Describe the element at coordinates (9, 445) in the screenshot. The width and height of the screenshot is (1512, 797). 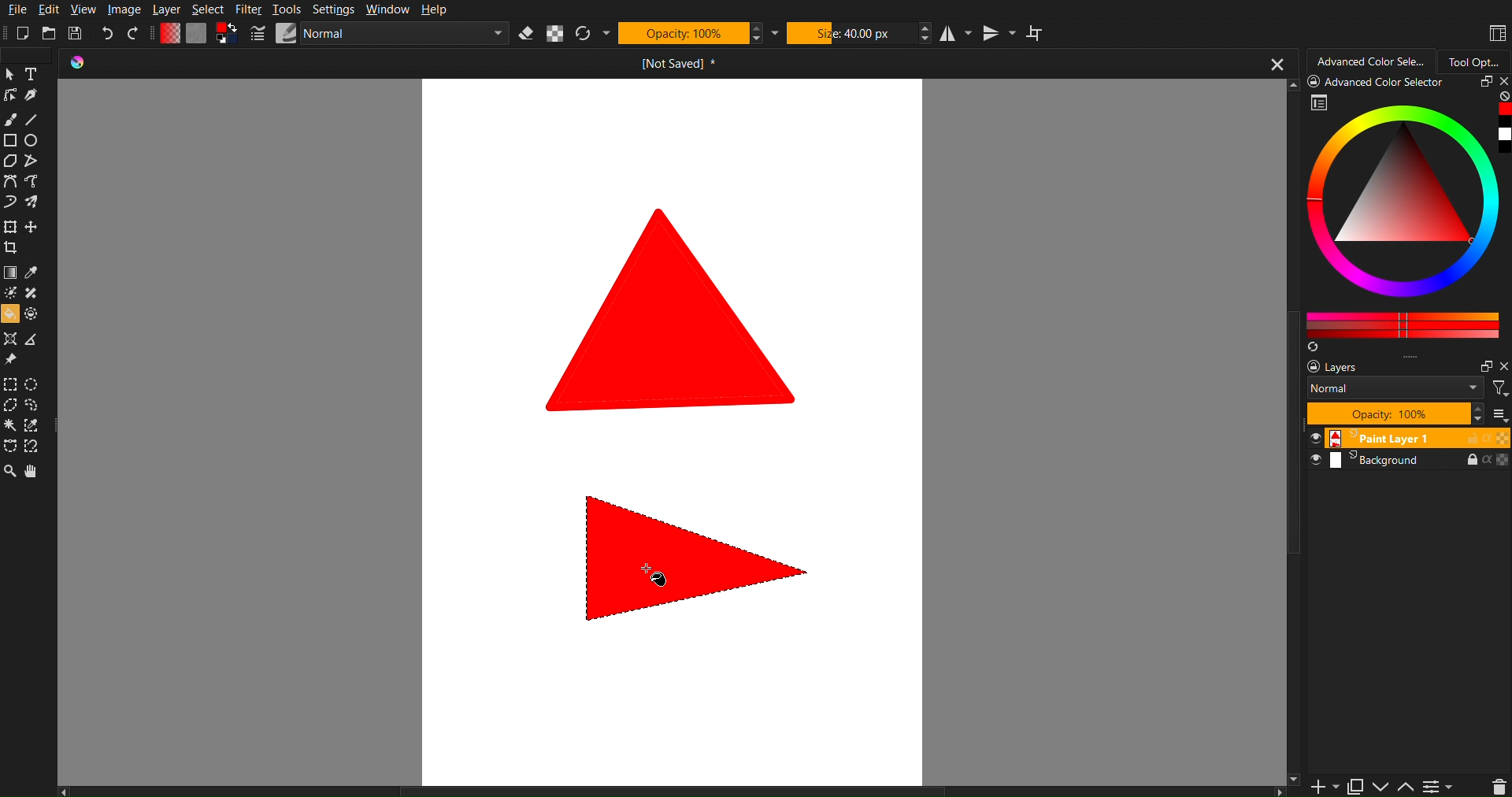
I see `selection free shape` at that location.